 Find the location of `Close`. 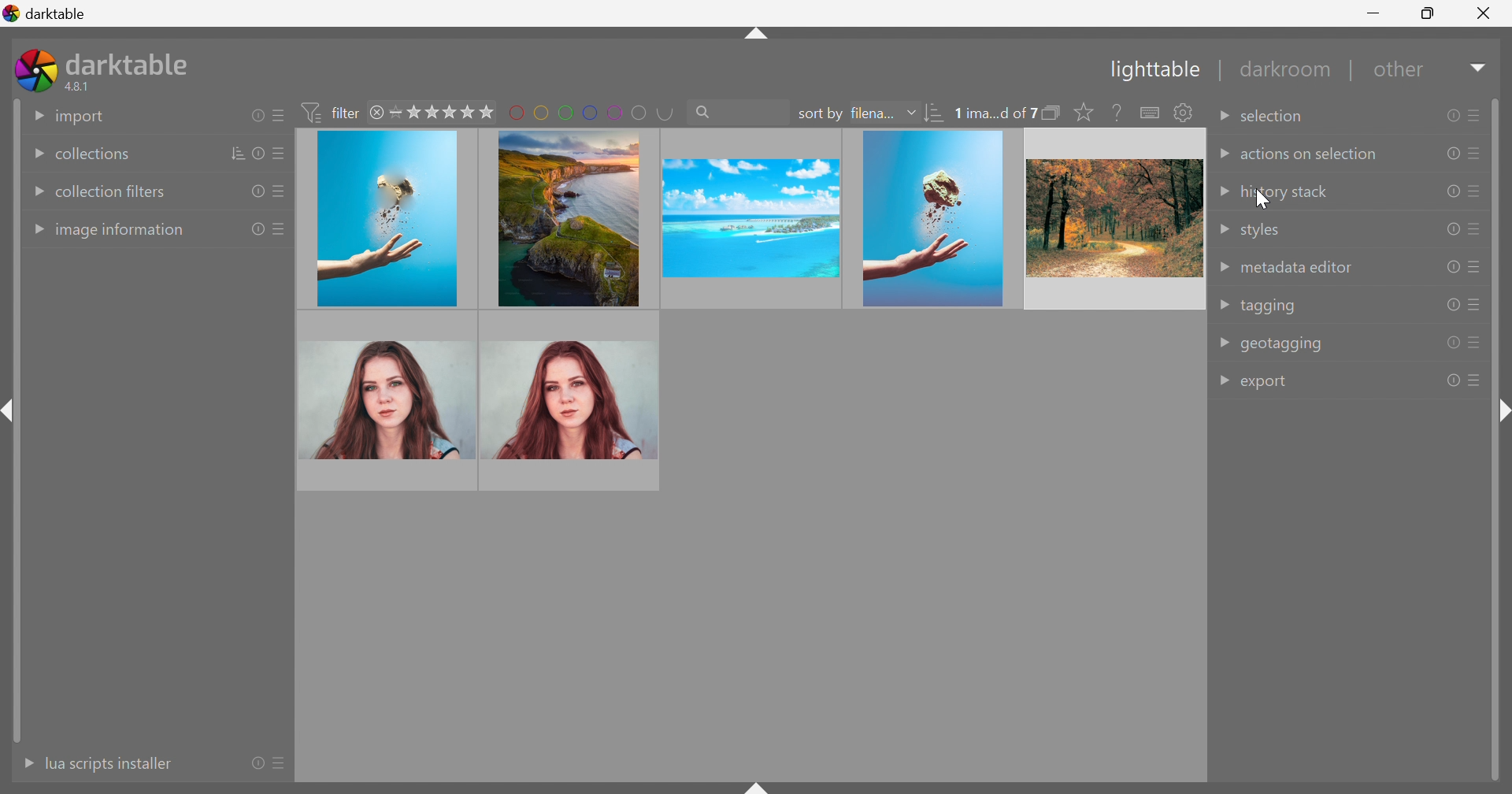

Close is located at coordinates (1484, 17).